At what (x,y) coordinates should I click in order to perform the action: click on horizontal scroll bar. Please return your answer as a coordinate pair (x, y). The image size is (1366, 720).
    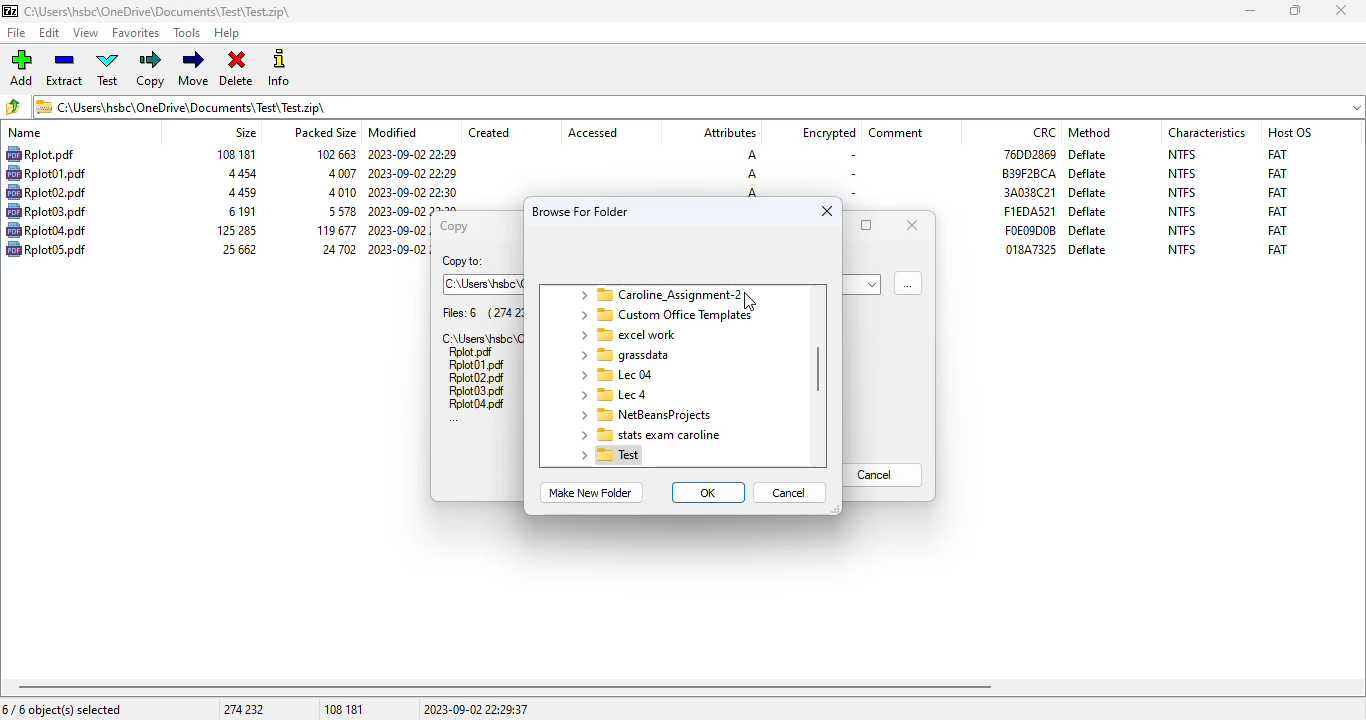
    Looking at the image, I should click on (505, 687).